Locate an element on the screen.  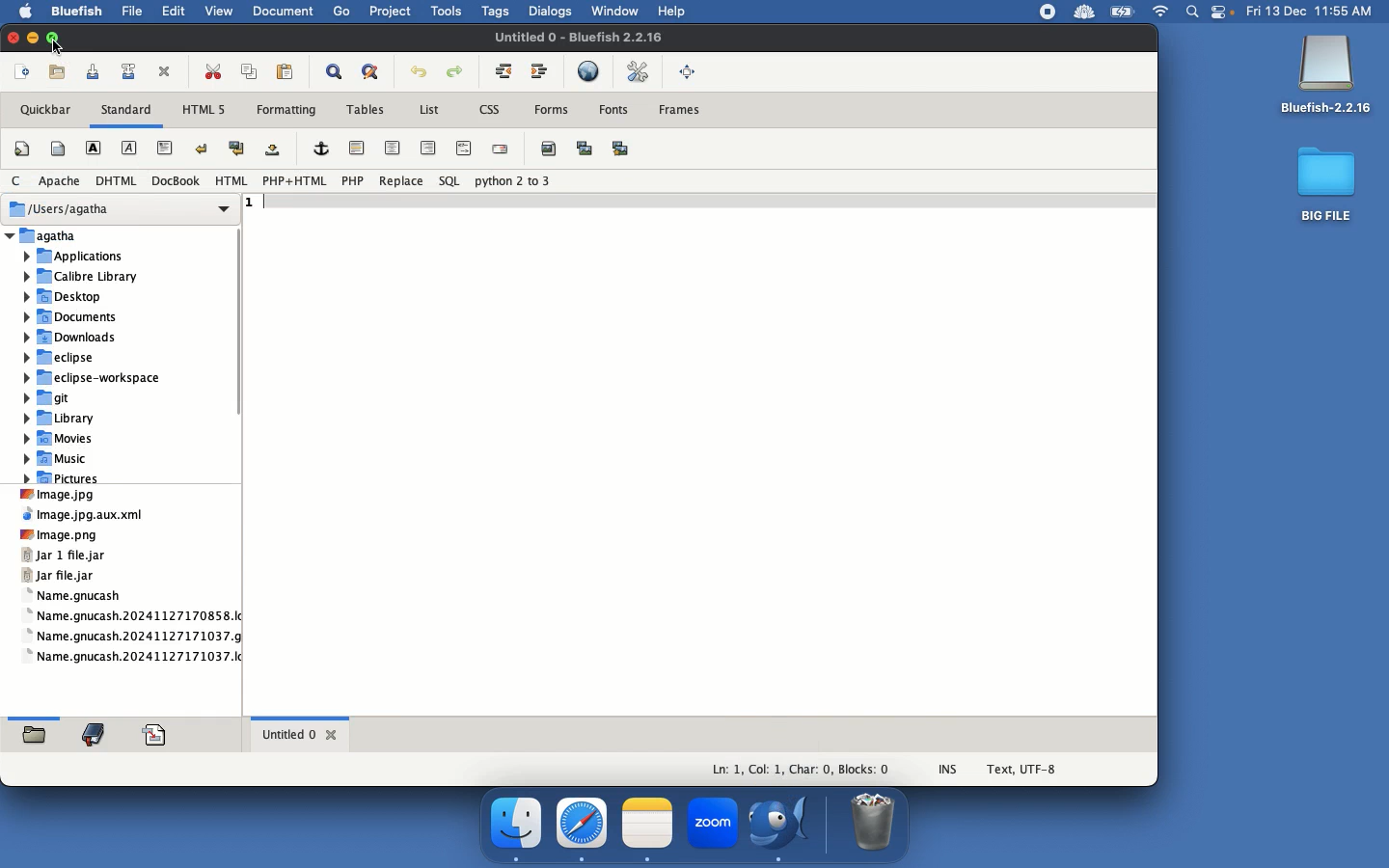
git is located at coordinates (55, 400).